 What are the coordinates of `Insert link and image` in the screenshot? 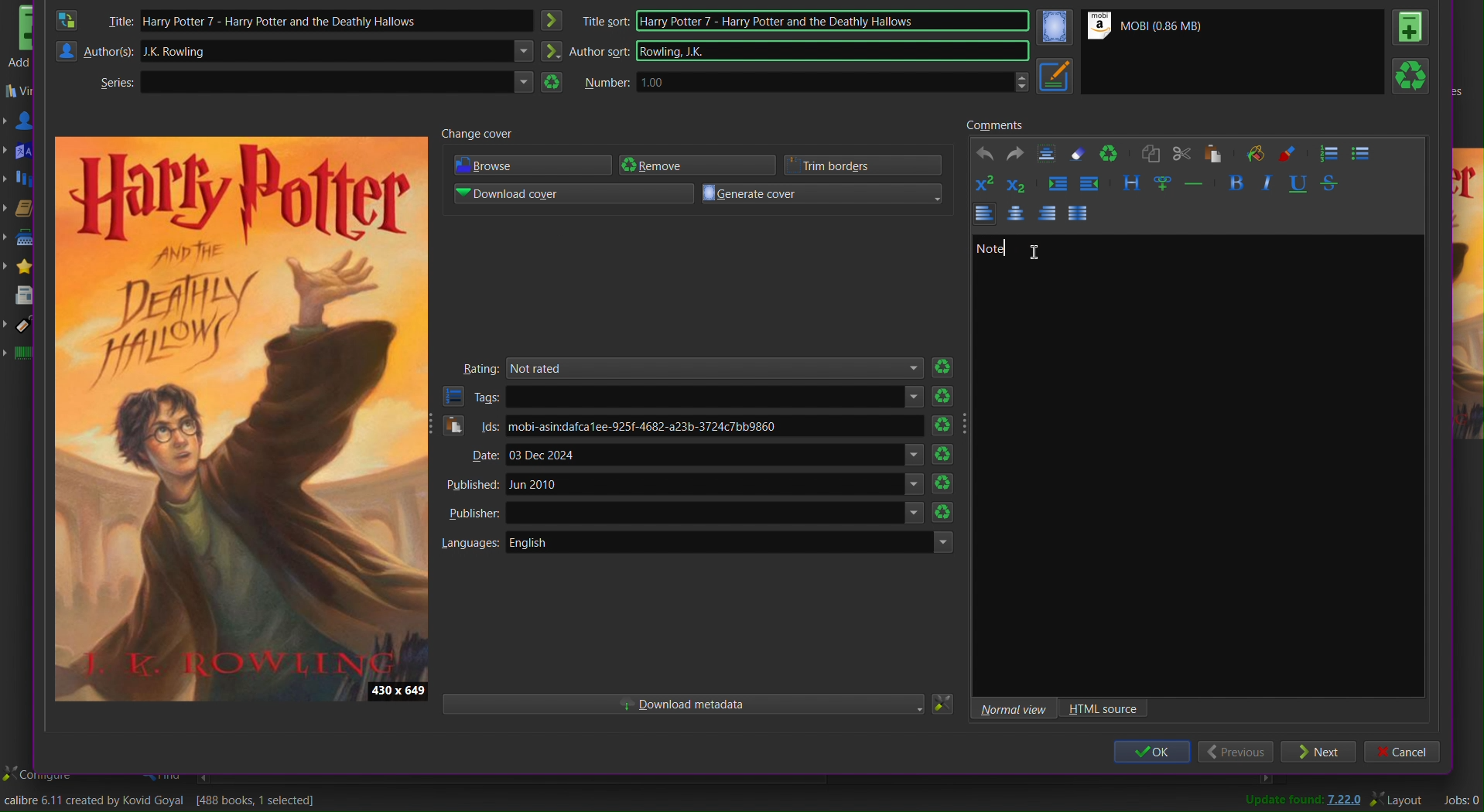 It's located at (1163, 184).